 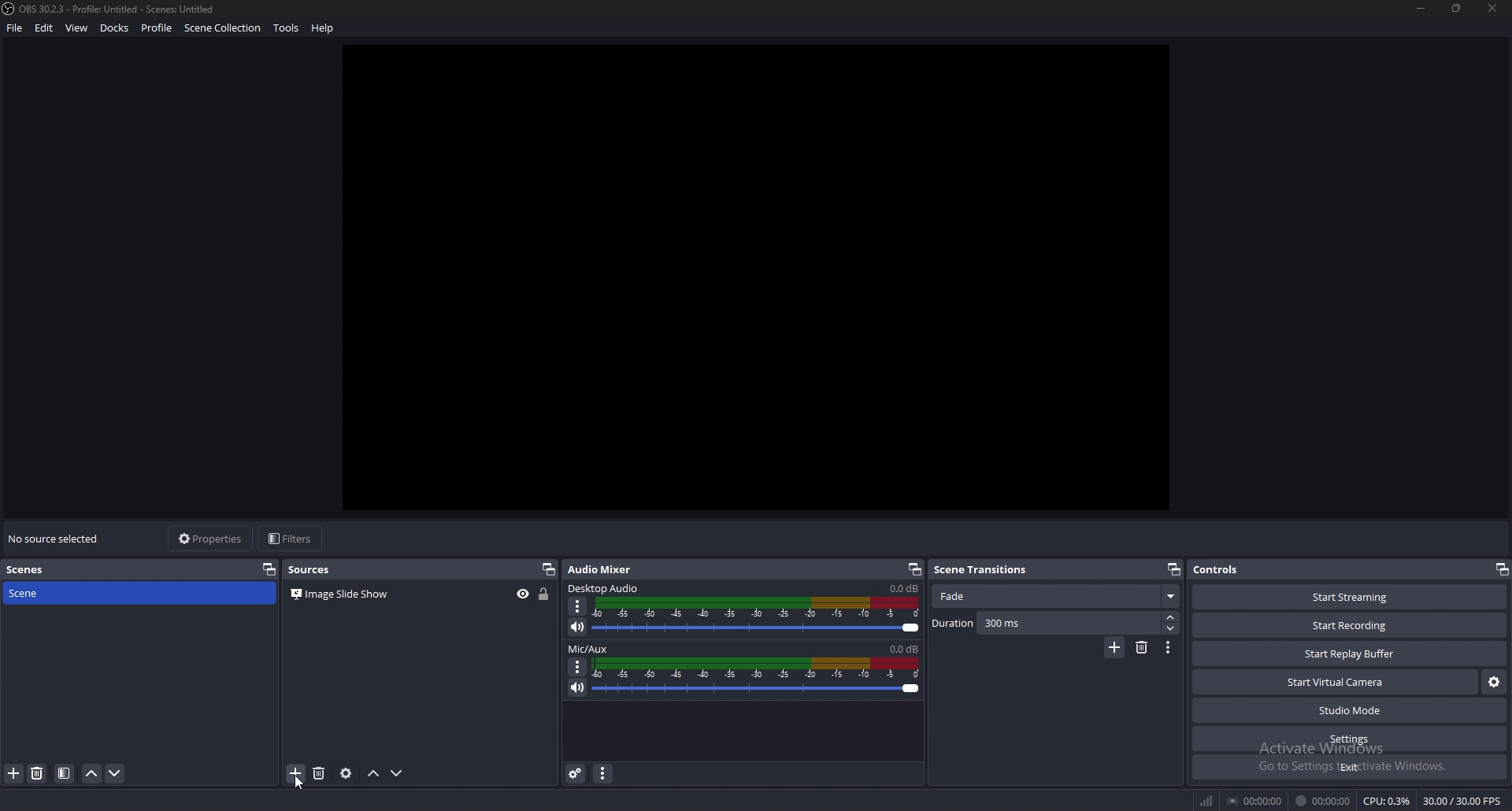 I want to click on move scene down, so click(x=114, y=773).